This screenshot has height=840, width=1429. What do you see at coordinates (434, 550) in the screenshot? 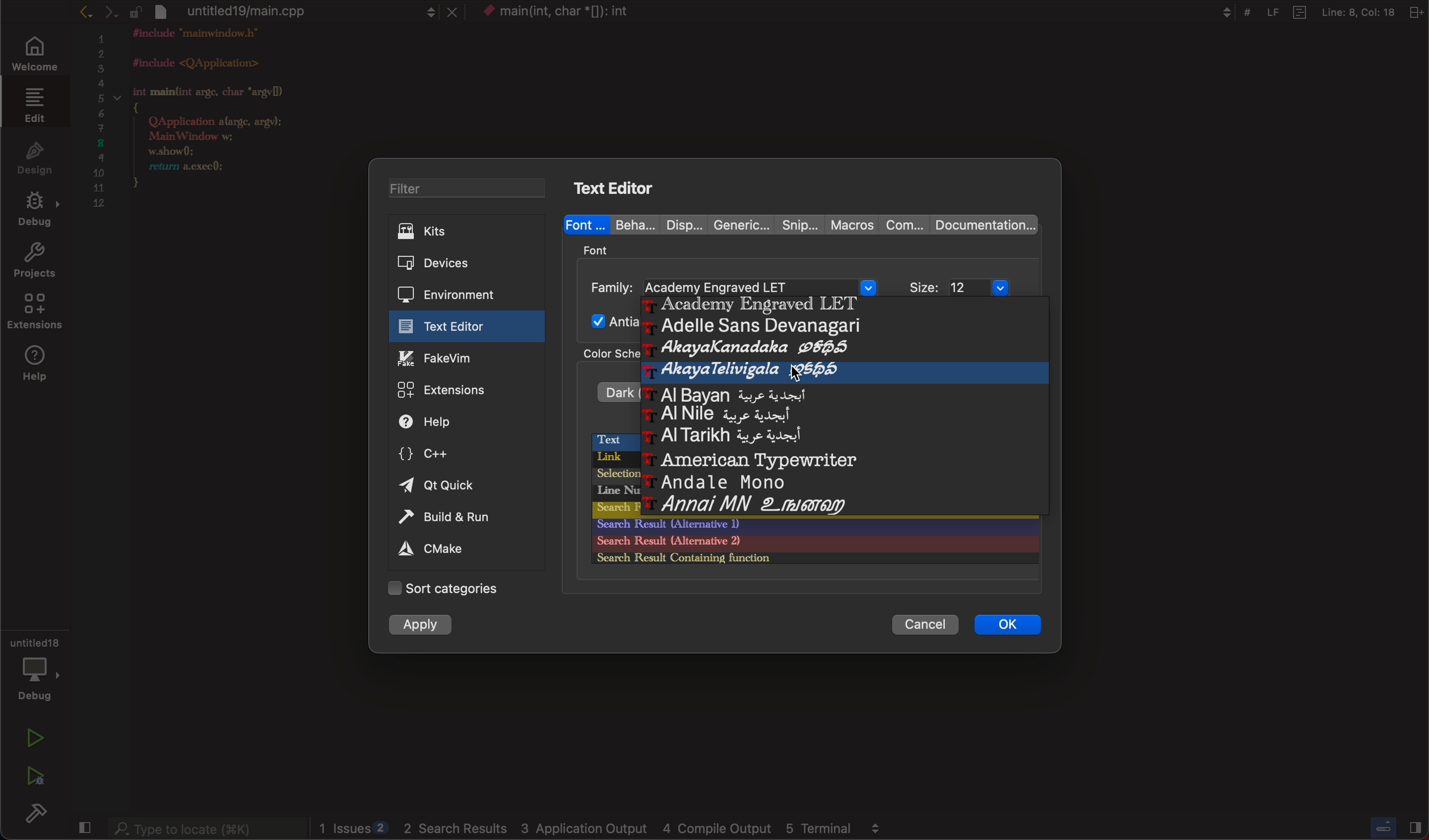
I see `cmake` at bounding box center [434, 550].